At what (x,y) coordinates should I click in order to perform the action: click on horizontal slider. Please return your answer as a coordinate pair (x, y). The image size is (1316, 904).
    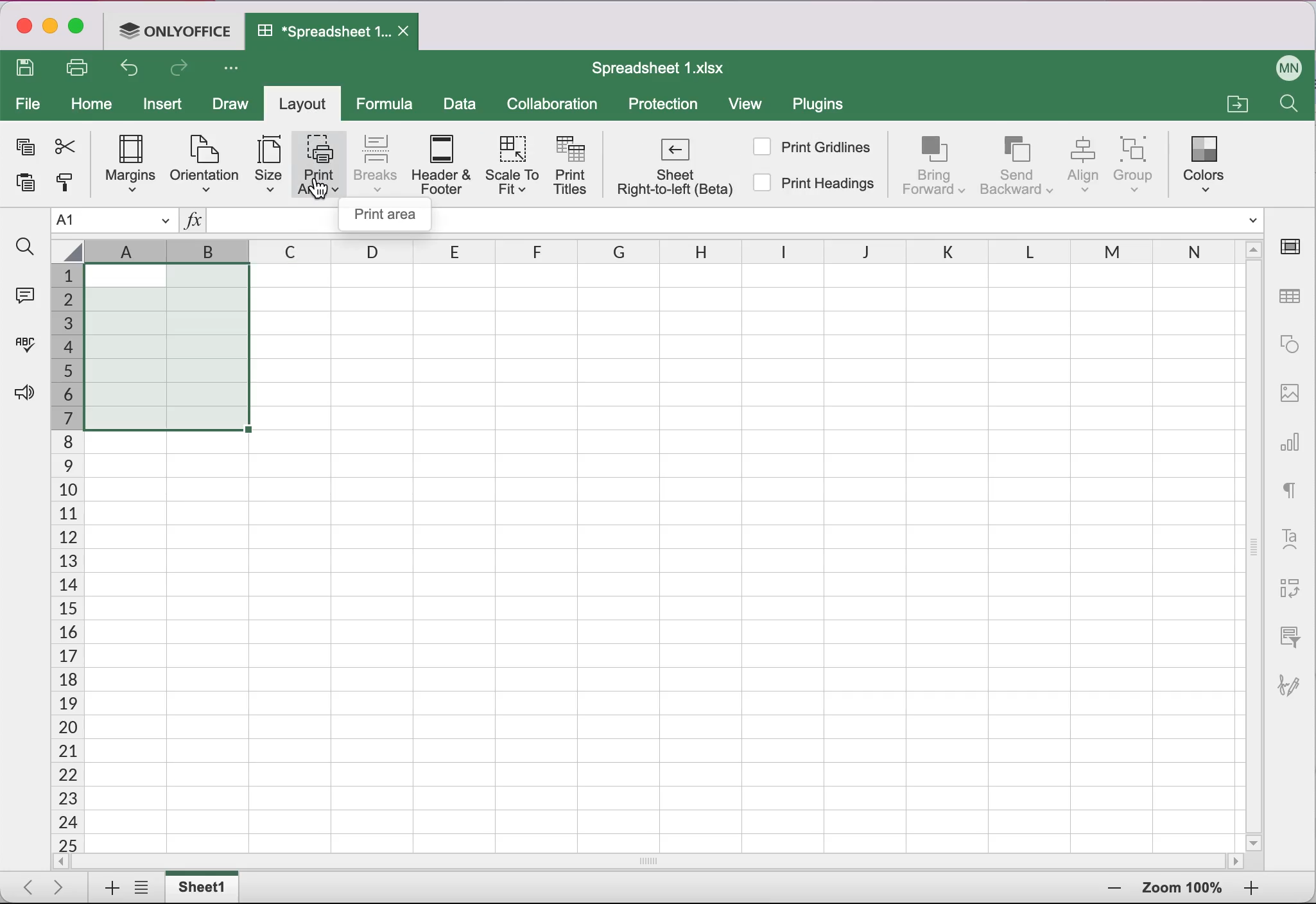
    Looking at the image, I should click on (664, 861).